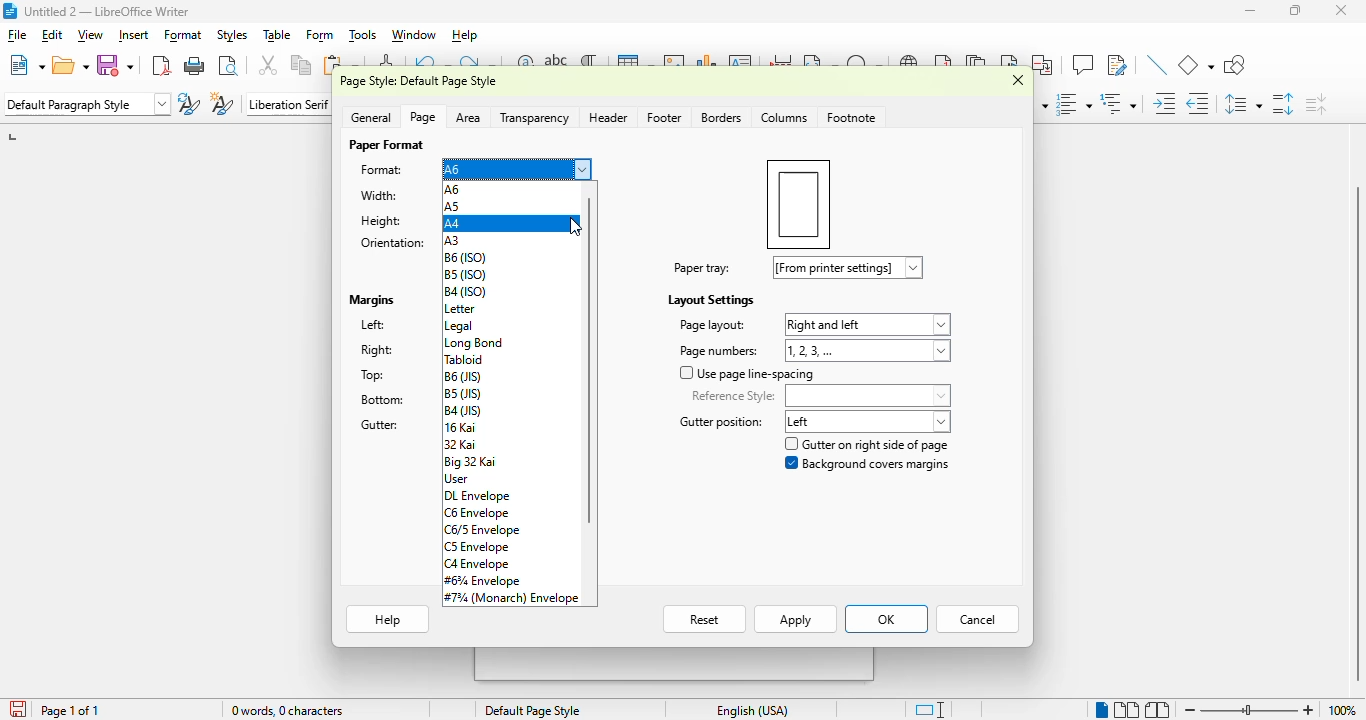  What do you see at coordinates (511, 598) in the screenshot?
I see `#7¾ (monarch) envelope` at bounding box center [511, 598].